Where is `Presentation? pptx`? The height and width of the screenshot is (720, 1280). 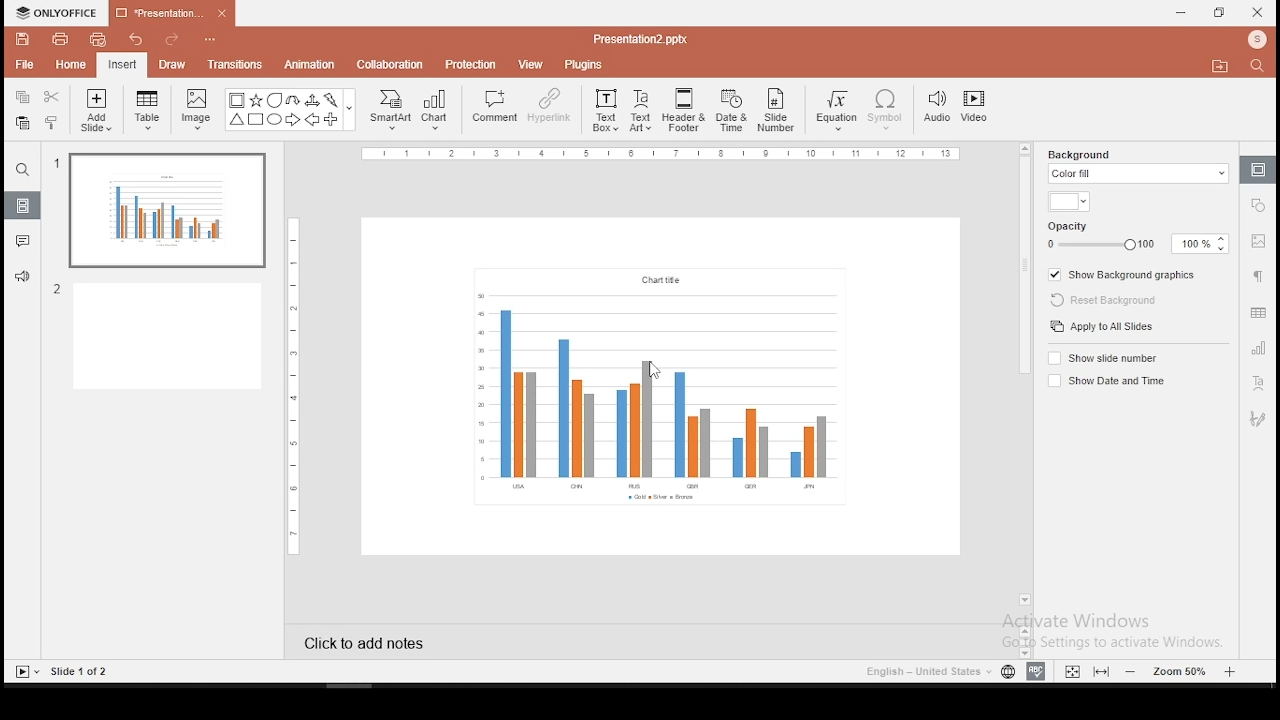
Presentation? pptx is located at coordinates (638, 39).